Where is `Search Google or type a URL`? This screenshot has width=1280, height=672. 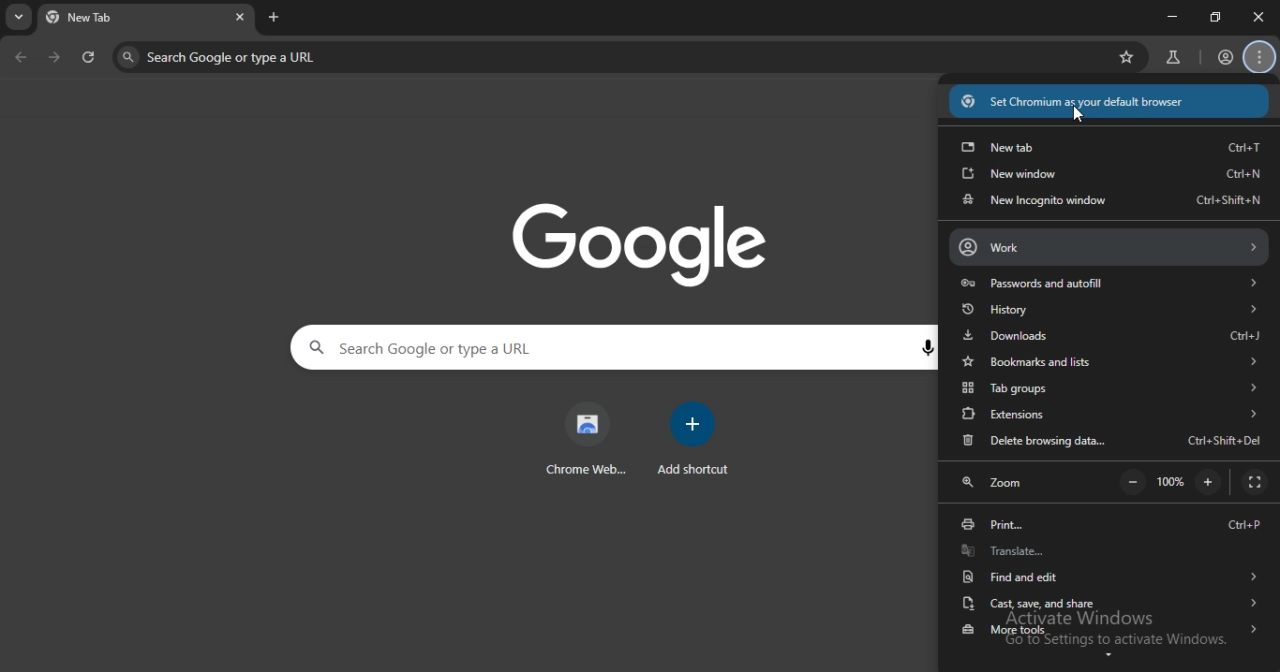 Search Google or type a URL is located at coordinates (608, 57).